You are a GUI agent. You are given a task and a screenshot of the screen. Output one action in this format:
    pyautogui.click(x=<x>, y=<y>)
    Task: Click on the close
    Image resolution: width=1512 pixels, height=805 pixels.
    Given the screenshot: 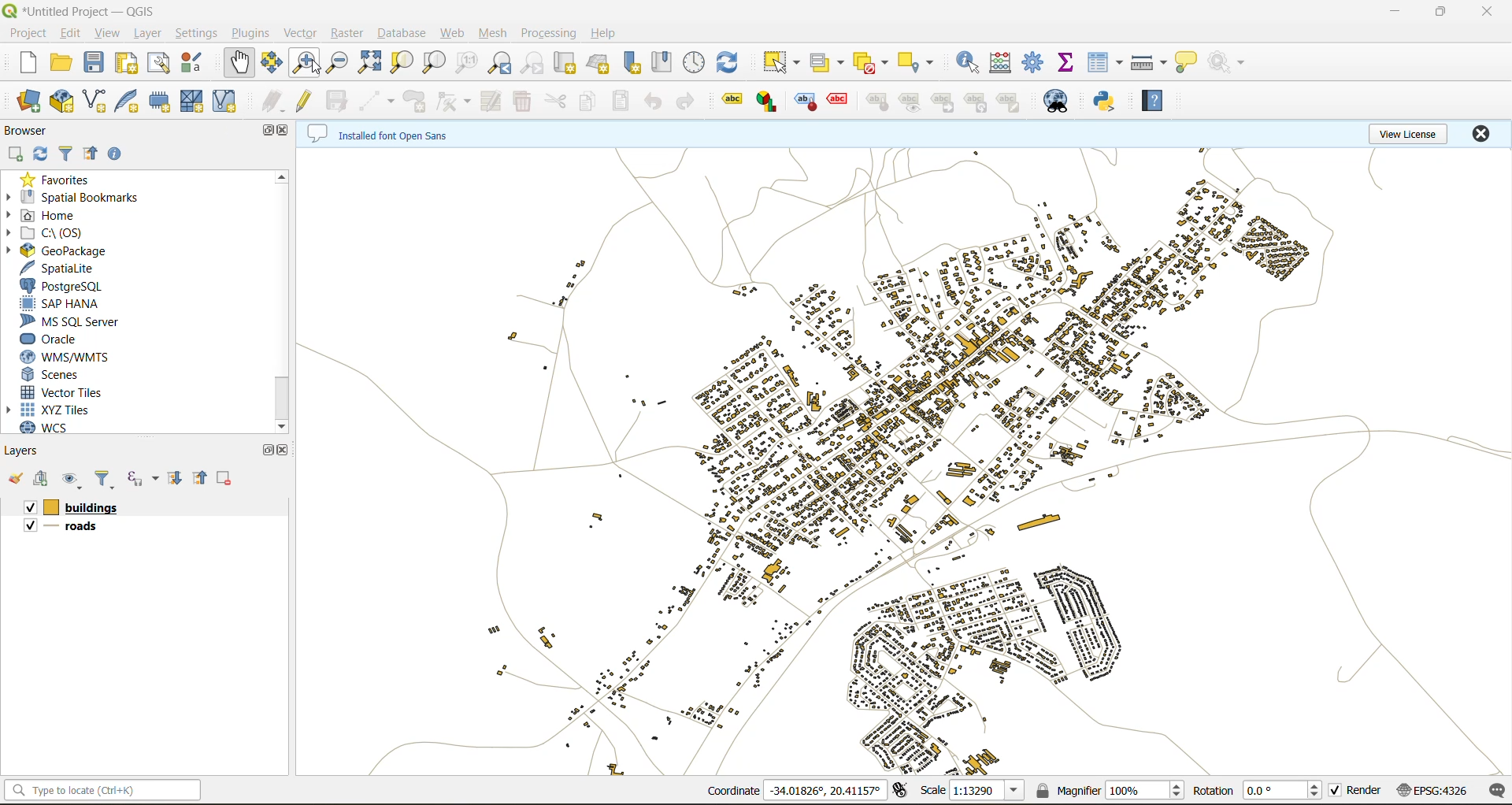 What is the action you would take?
    pyautogui.click(x=1486, y=135)
    